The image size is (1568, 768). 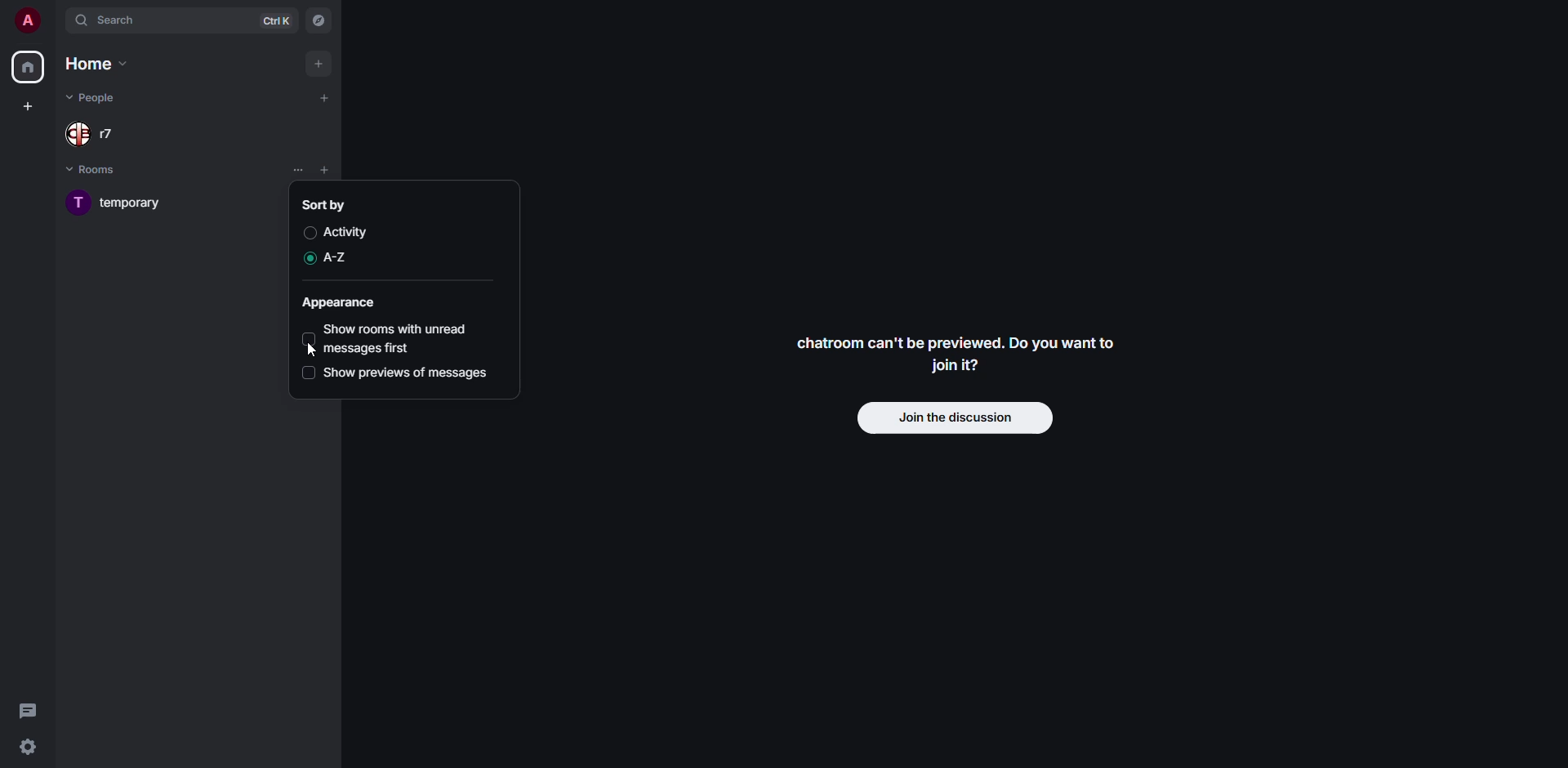 What do you see at coordinates (306, 260) in the screenshot?
I see `enabled` at bounding box center [306, 260].